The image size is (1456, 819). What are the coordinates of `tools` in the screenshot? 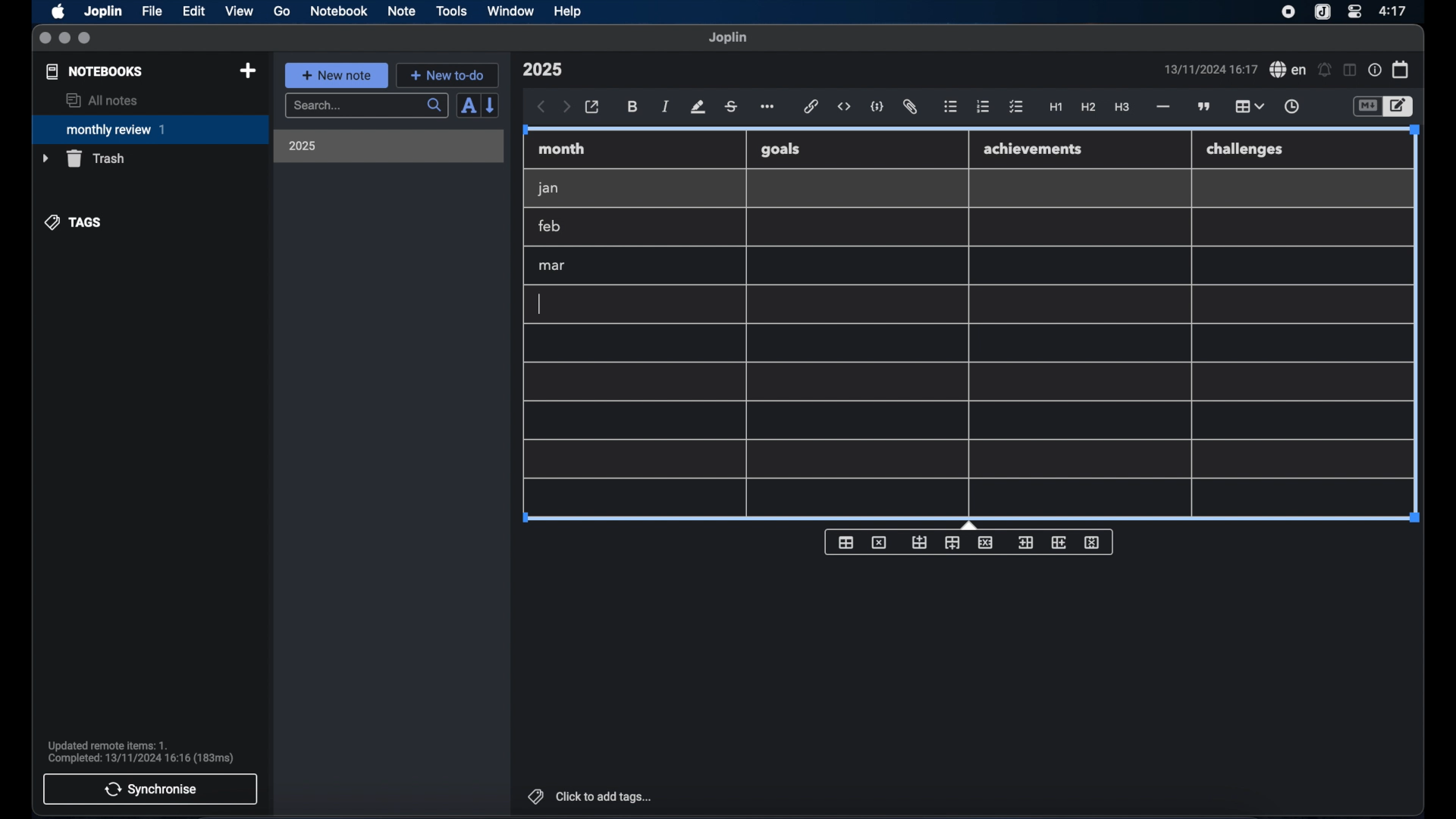 It's located at (451, 11).